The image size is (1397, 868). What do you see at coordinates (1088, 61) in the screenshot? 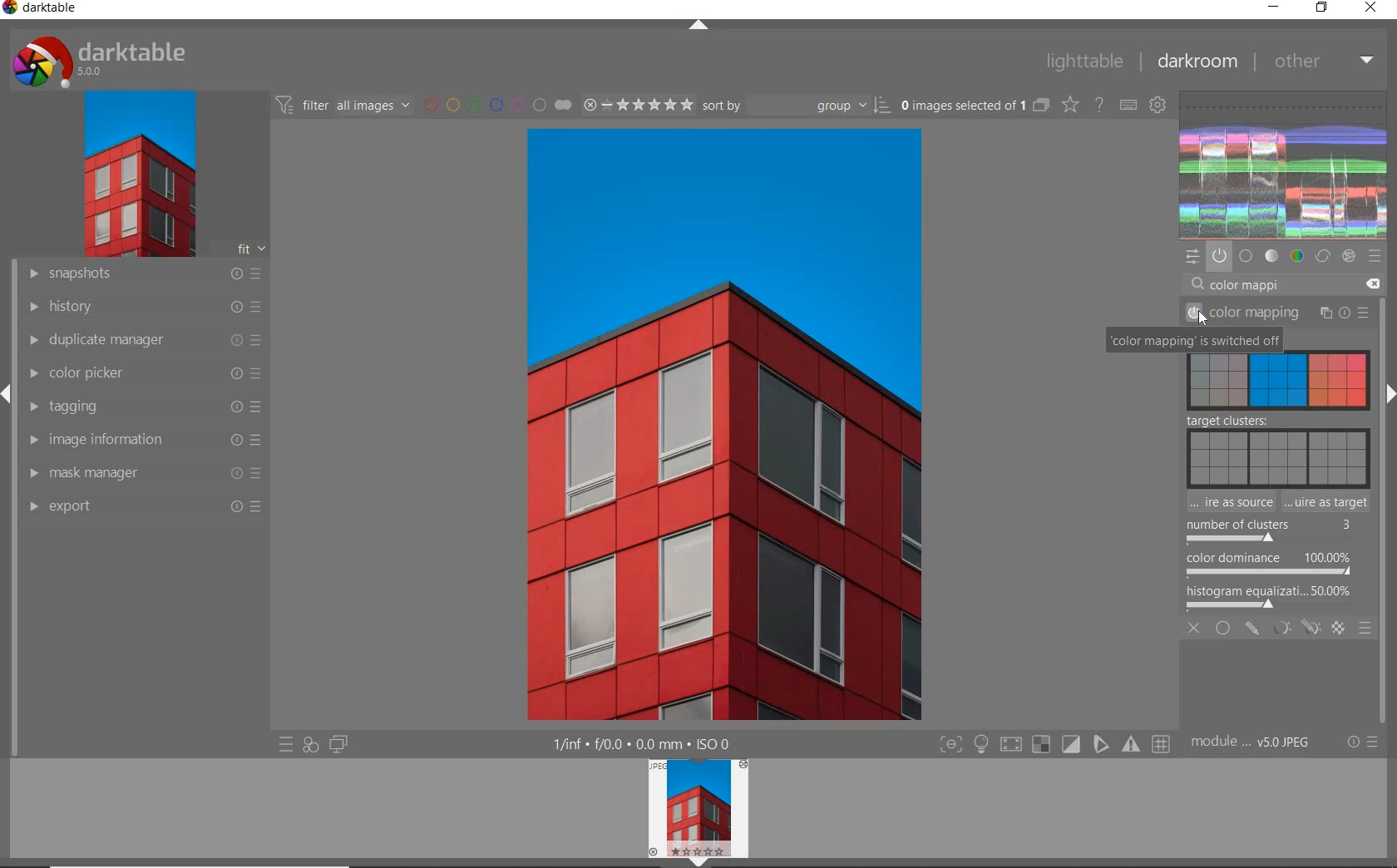
I see `lighttable` at bounding box center [1088, 61].